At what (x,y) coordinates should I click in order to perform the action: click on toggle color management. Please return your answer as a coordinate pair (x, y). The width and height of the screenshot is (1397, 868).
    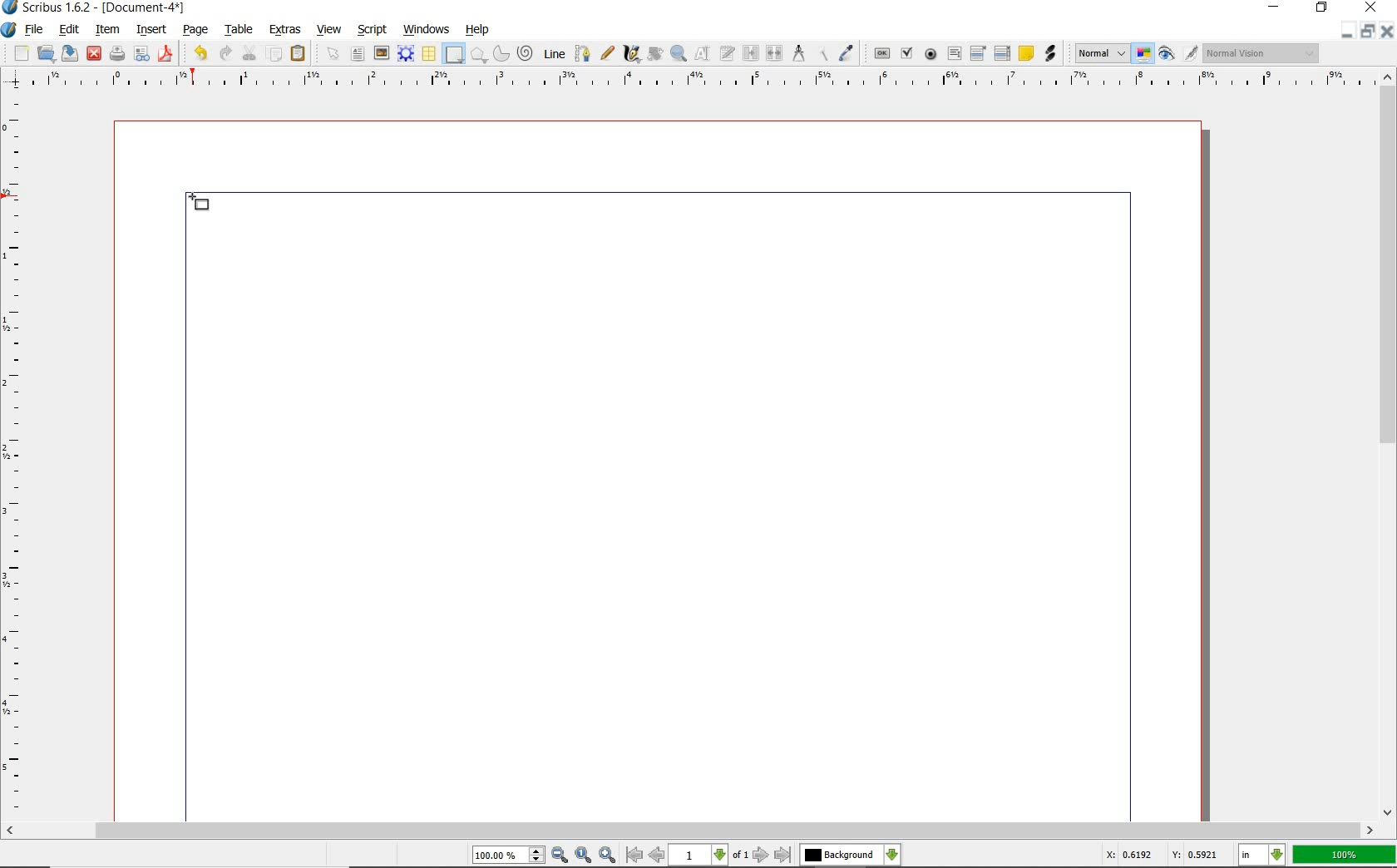
    Looking at the image, I should click on (1144, 55).